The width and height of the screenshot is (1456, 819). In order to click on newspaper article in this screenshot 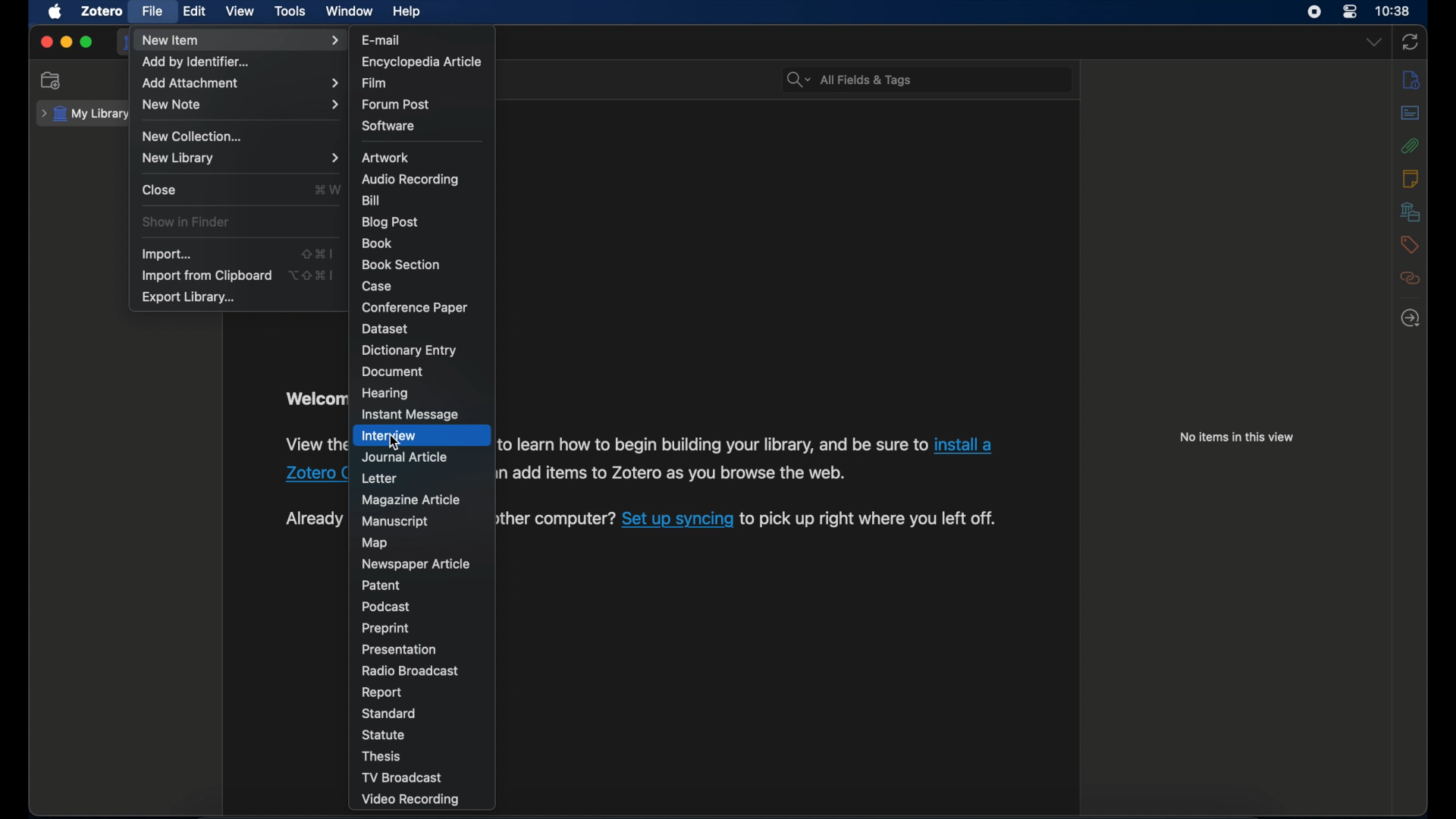, I will do `click(418, 564)`.